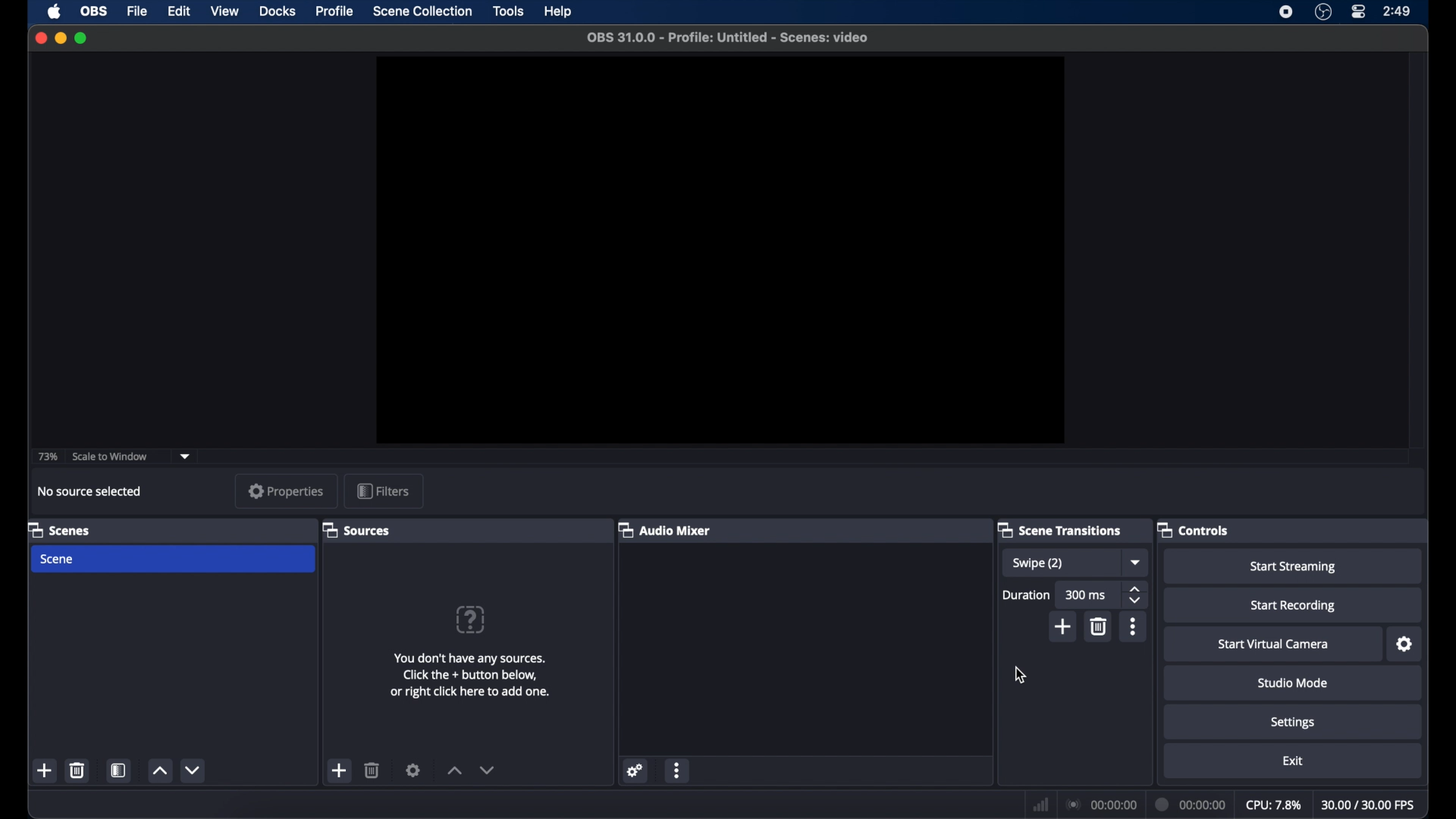 Image resolution: width=1456 pixels, height=819 pixels. I want to click on add, so click(340, 770).